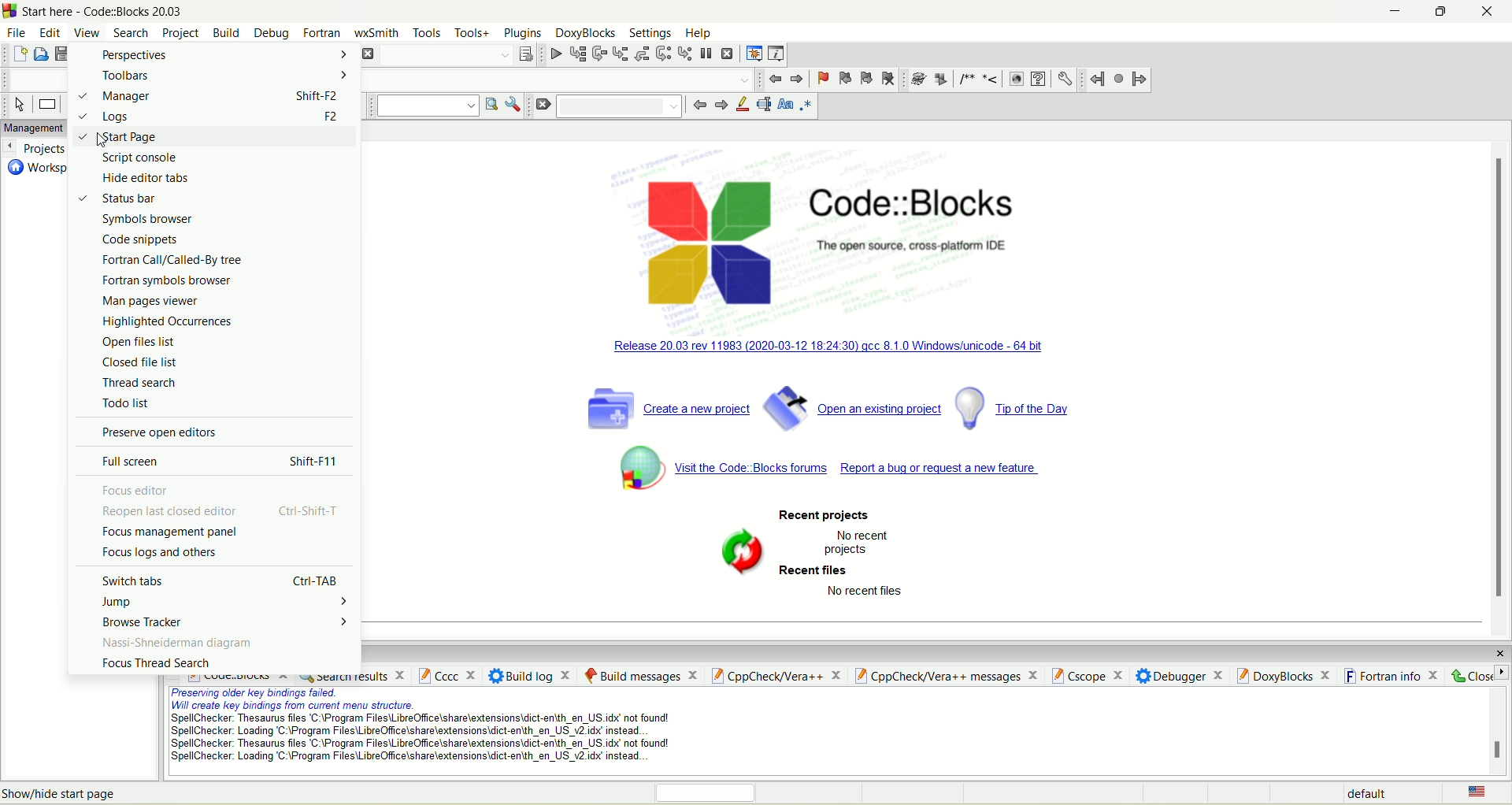  What do you see at coordinates (147, 178) in the screenshot?
I see `hide editor tabs` at bounding box center [147, 178].